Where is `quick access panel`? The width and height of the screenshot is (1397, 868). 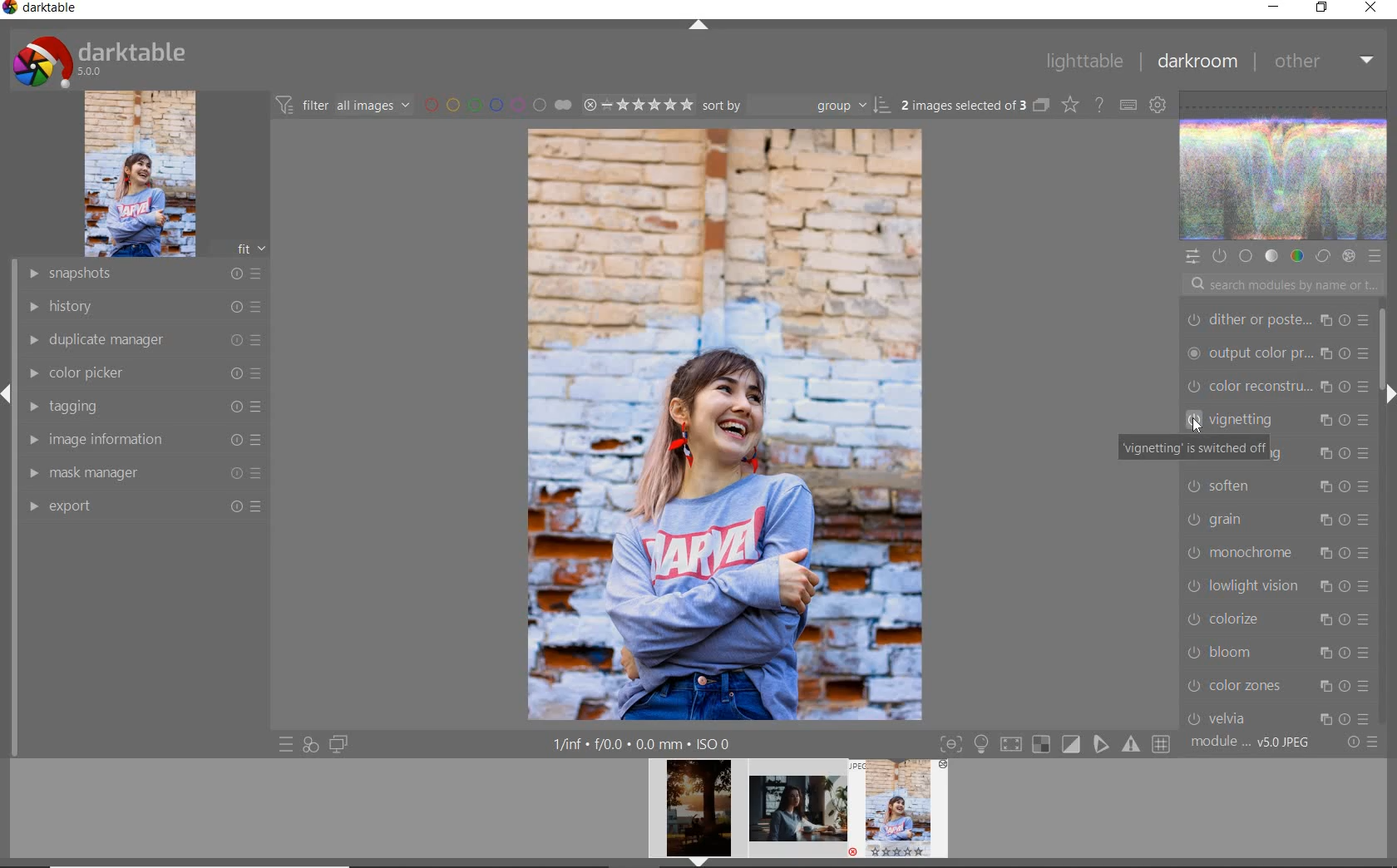 quick access panel is located at coordinates (1192, 257).